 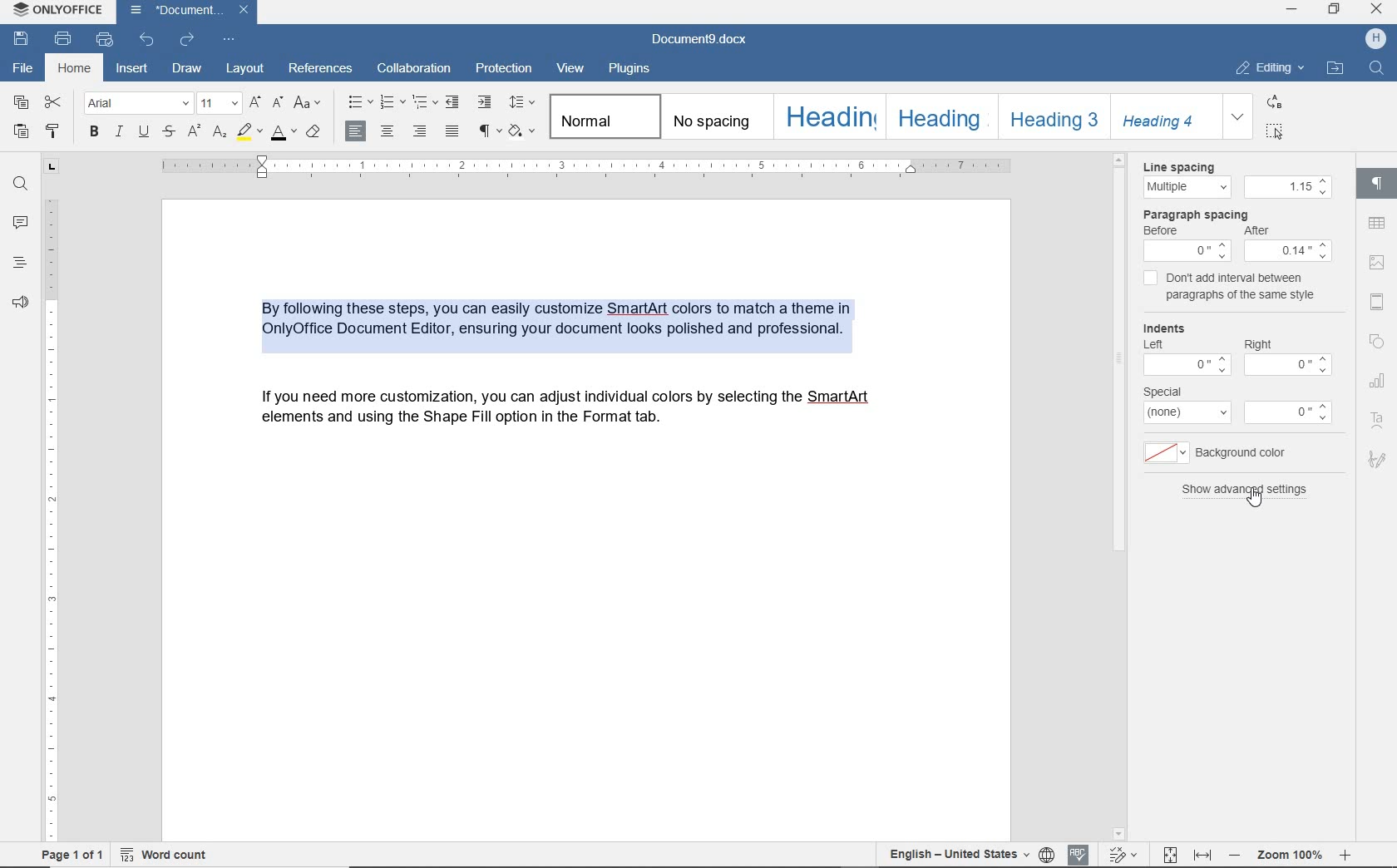 What do you see at coordinates (167, 856) in the screenshot?
I see `word count` at bounding box center [167, 856].